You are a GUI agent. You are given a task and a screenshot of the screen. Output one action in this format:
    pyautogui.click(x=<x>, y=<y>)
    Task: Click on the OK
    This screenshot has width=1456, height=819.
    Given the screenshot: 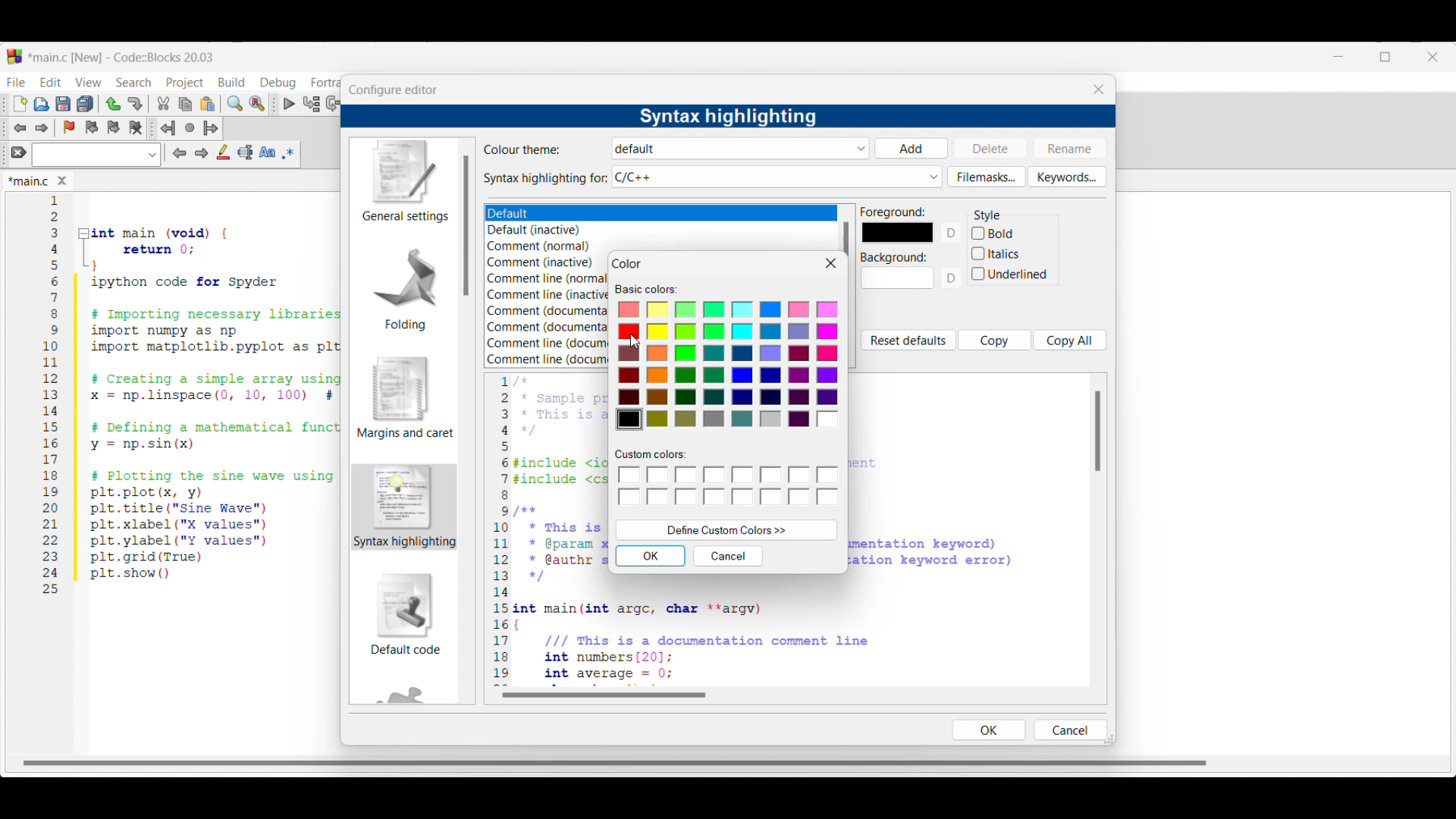 What is the action you would take?
    pyautogui.click(x=988, y=730)
    